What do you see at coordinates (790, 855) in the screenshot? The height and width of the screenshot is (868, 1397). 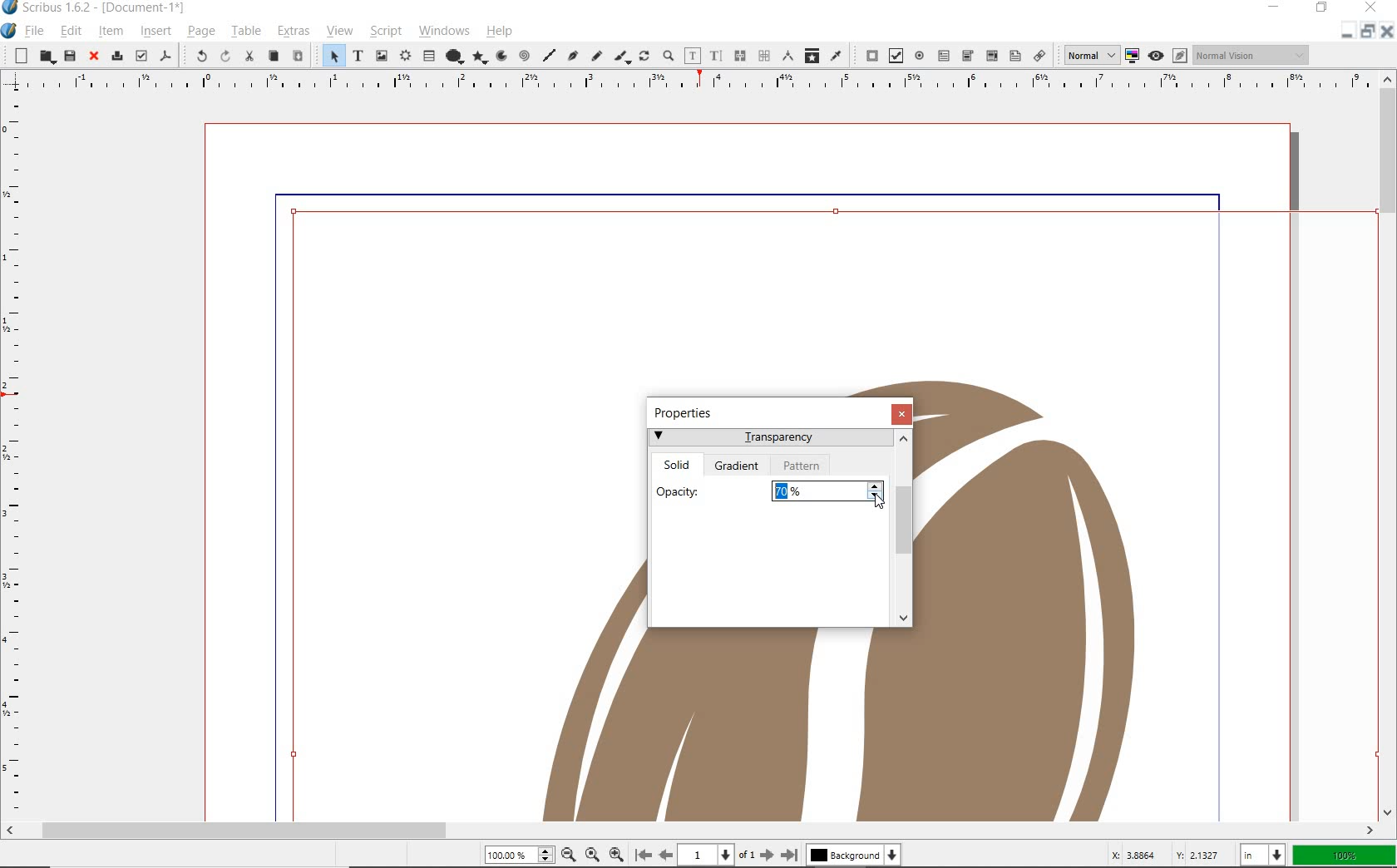 I see `Last Page` at bounding box center [790, 855].